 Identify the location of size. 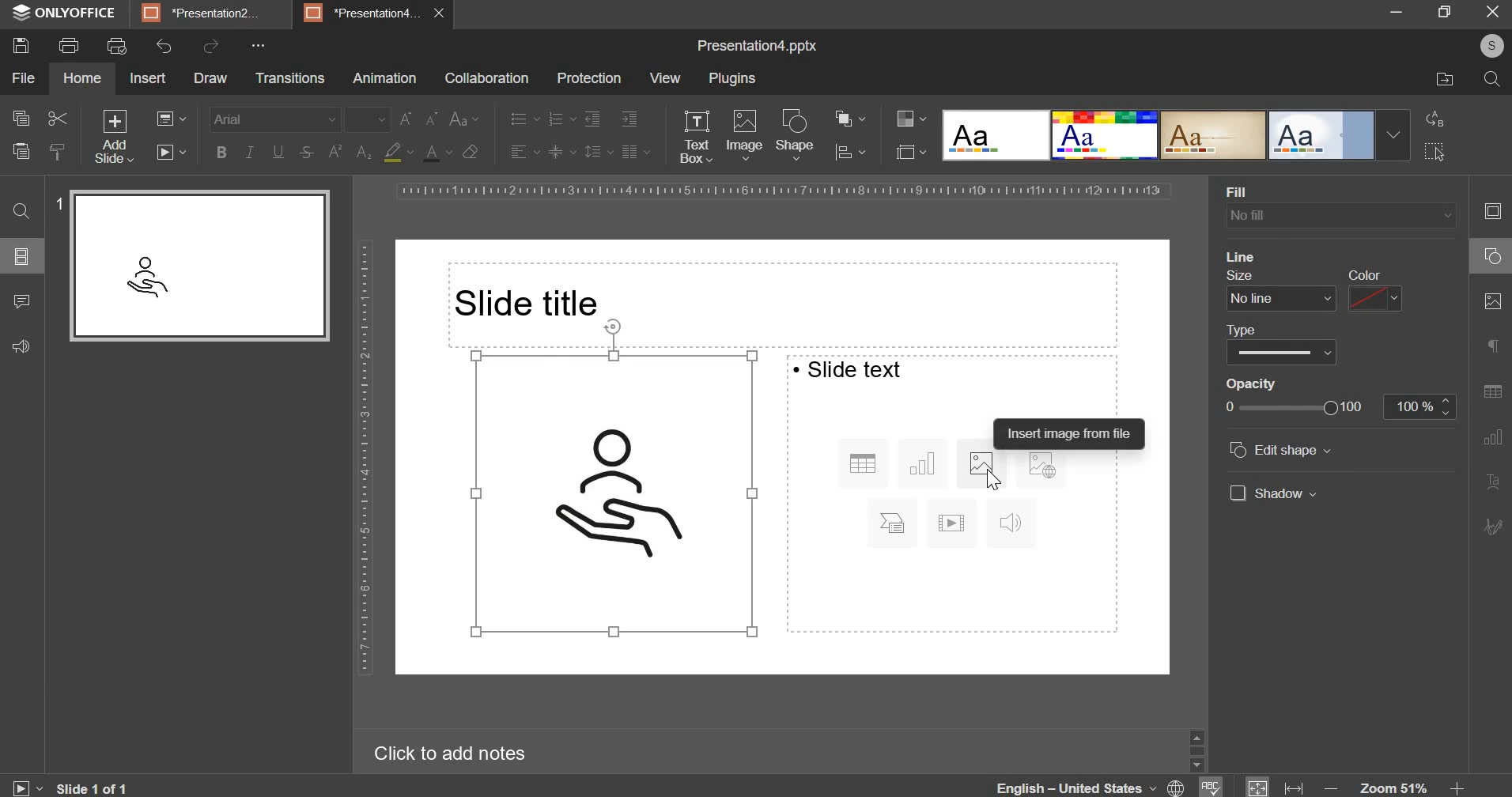
(1246, 275).